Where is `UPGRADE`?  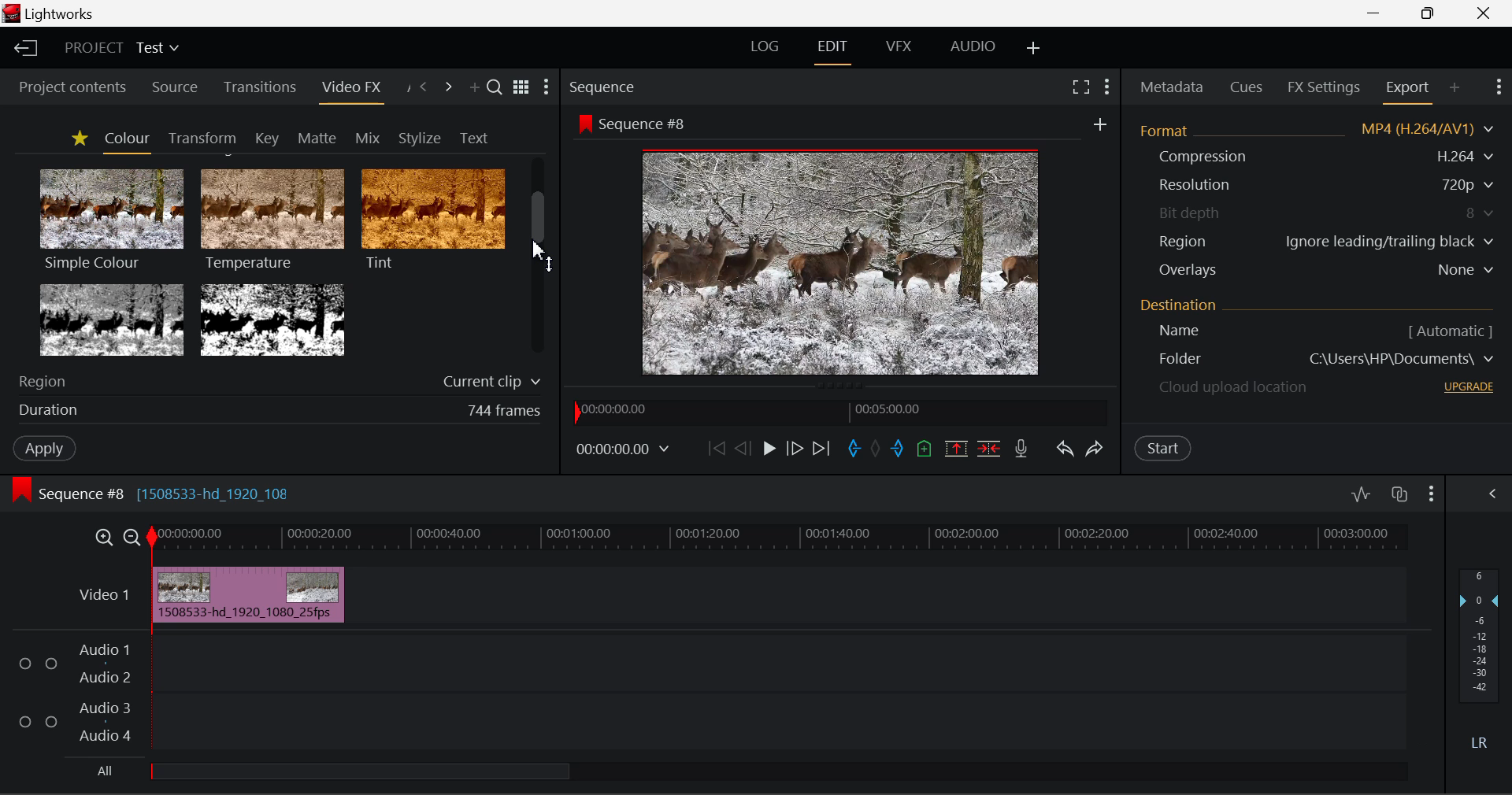 UPGRADE is located at coordinates (1469, 386).